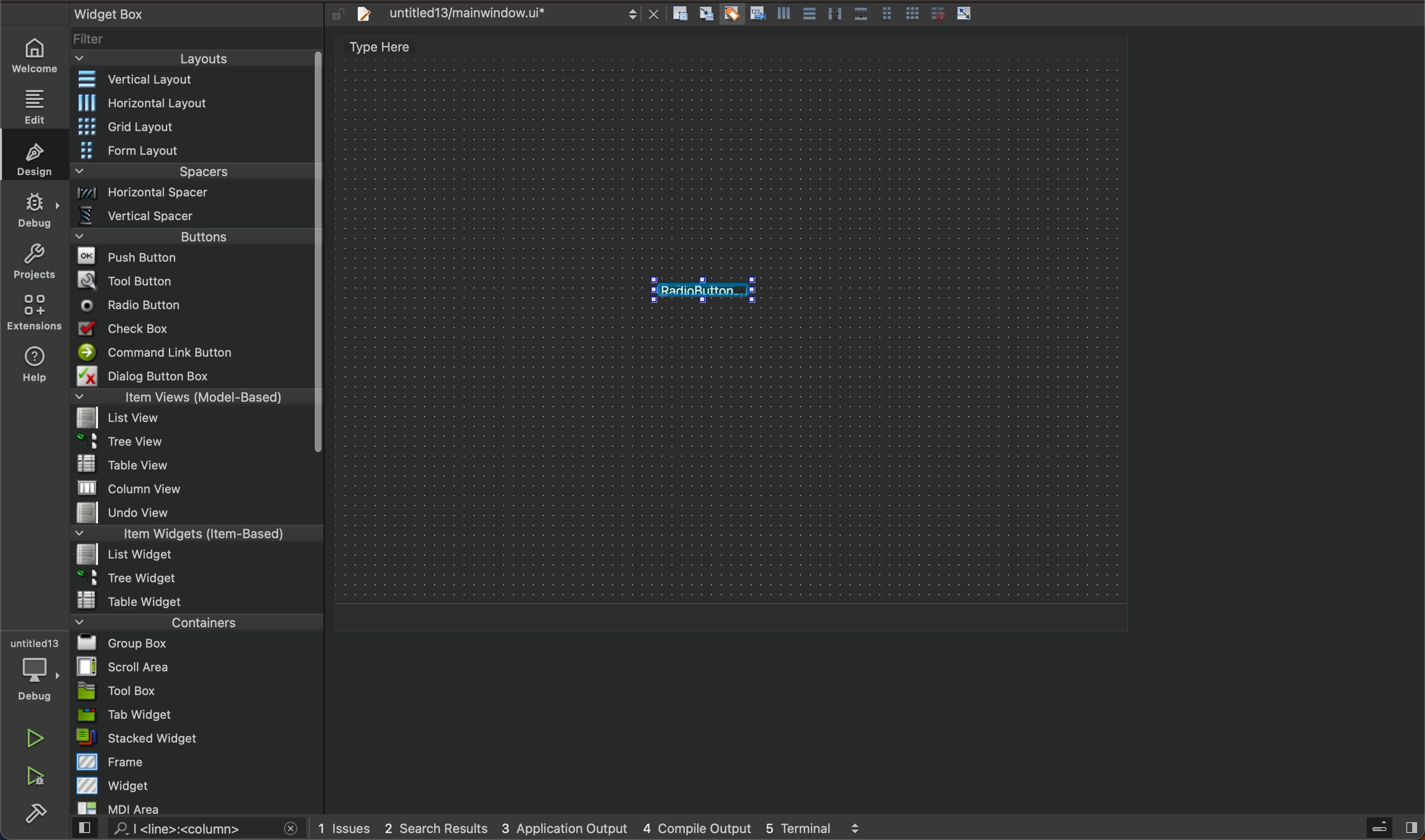 The height and width of the screenshot is (840, 1425). I want to click on item views, so click(190, 399).